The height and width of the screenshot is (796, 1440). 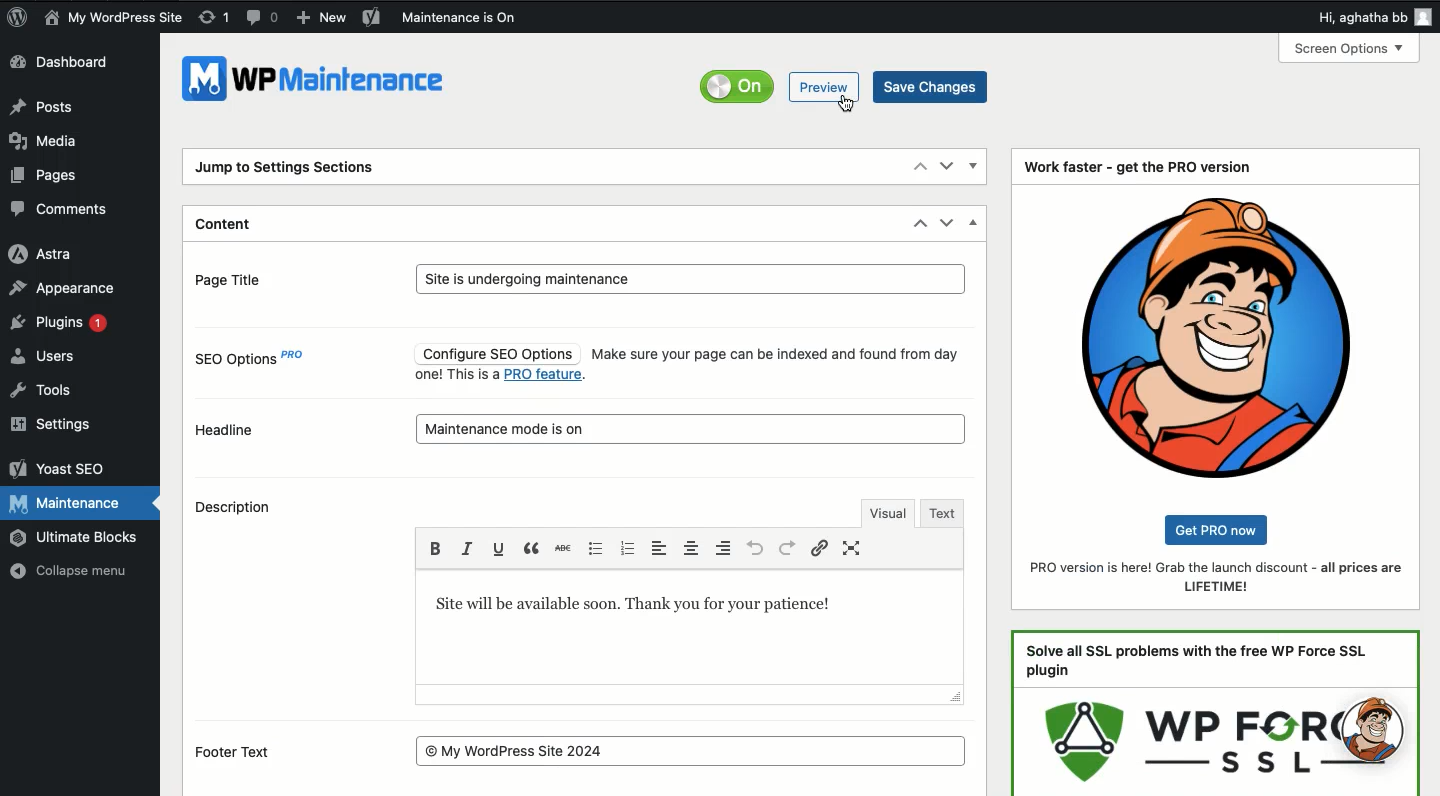 What do you see at coordinates (693, 427) in the screenshot?
I see `maintenance` at bounding box center [693, 427].